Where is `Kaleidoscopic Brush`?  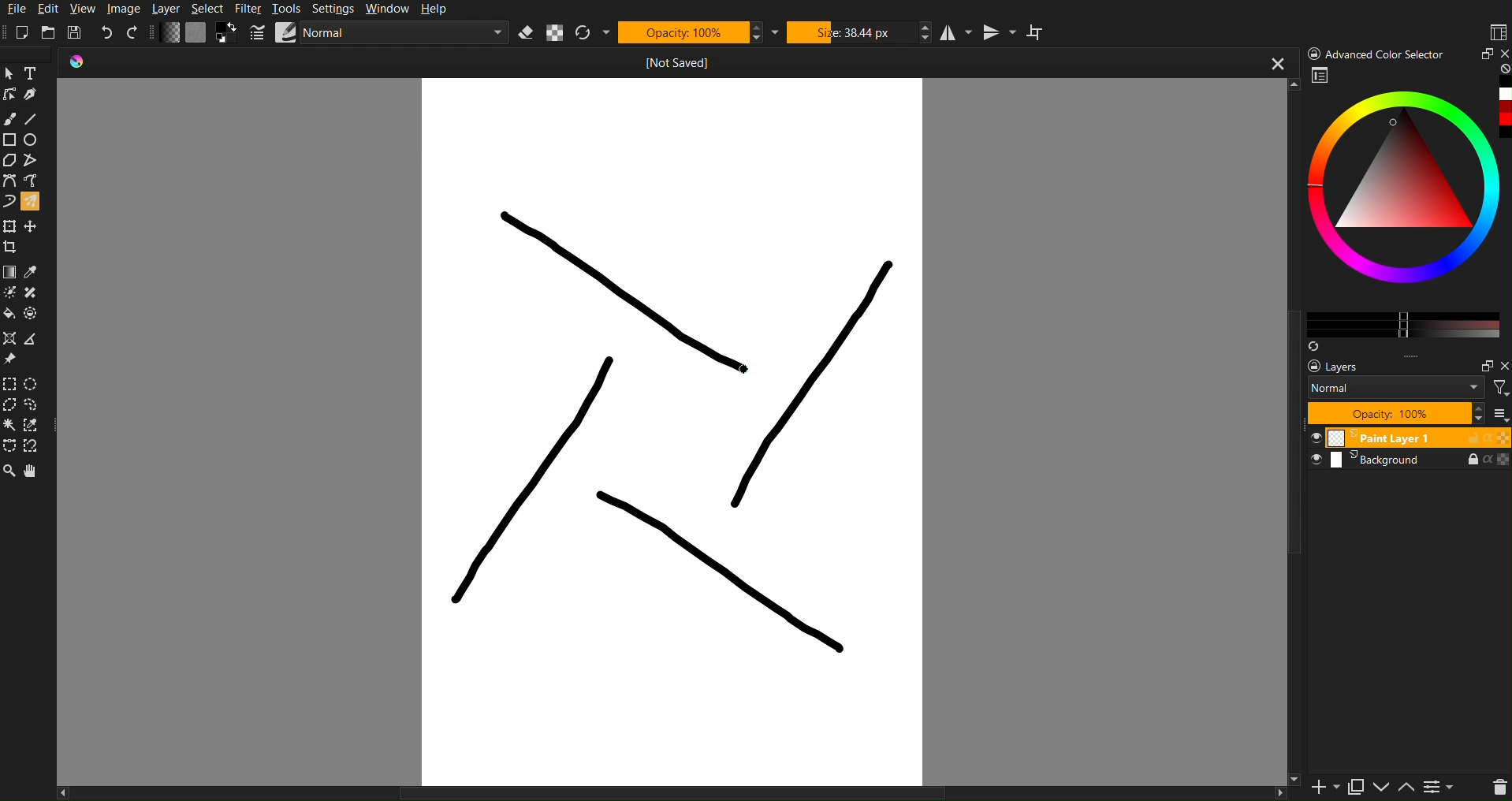 Kaleidoscopic Brush is located at coordinates (678, 430).